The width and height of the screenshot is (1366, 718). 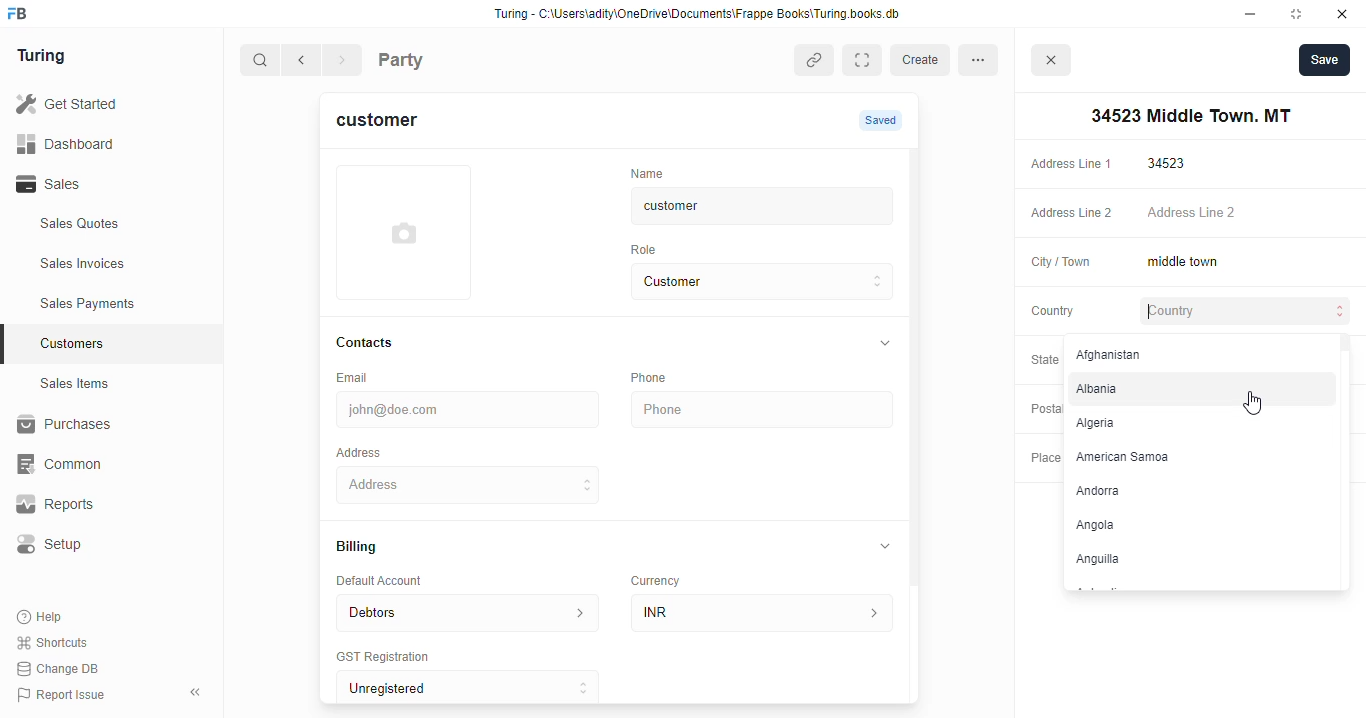 What do you see at coordinates (389, 123) in the screenshot?
I see `customer` at bounding box center [389, 123].